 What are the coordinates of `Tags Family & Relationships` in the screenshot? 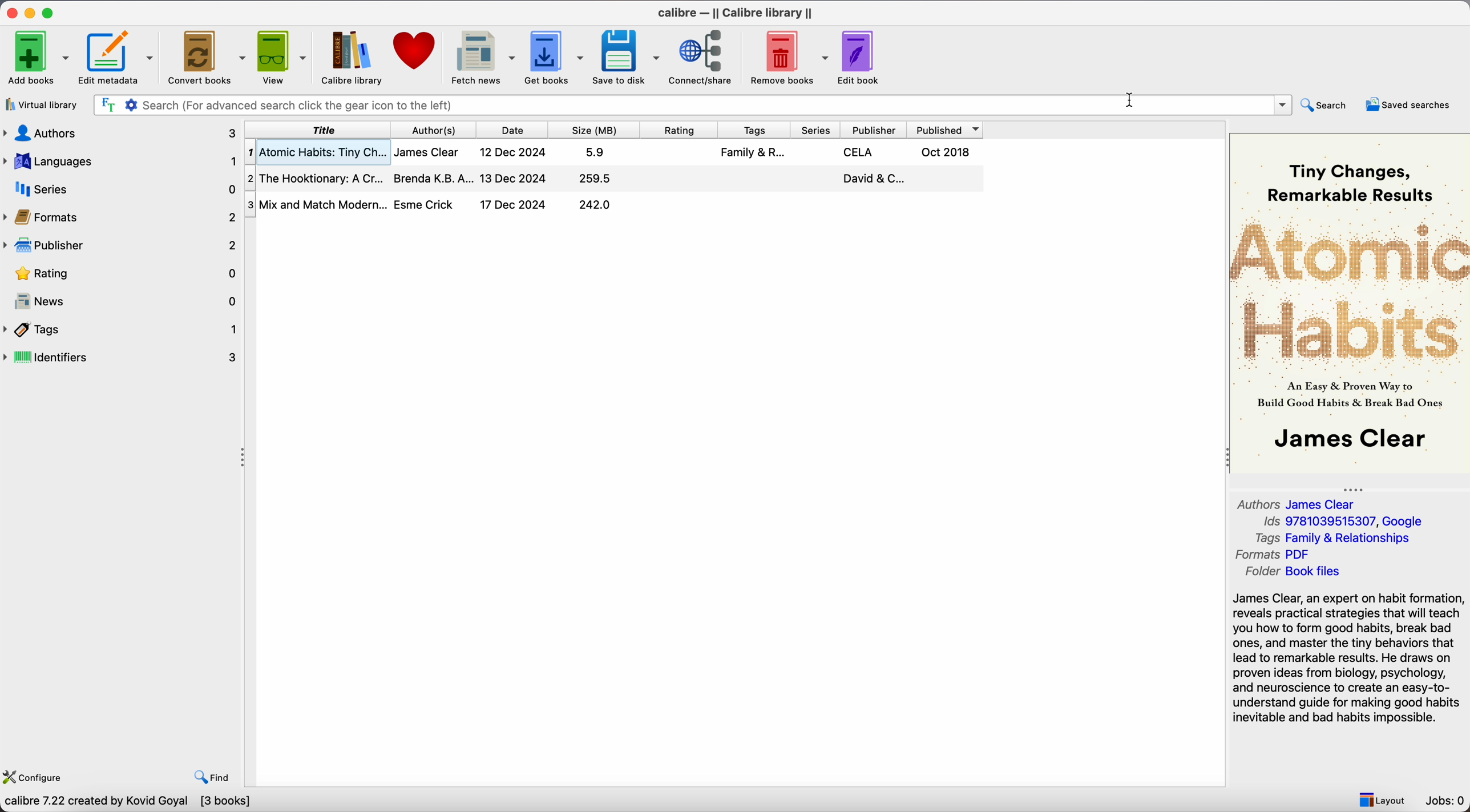 It's located at (1332, 539).